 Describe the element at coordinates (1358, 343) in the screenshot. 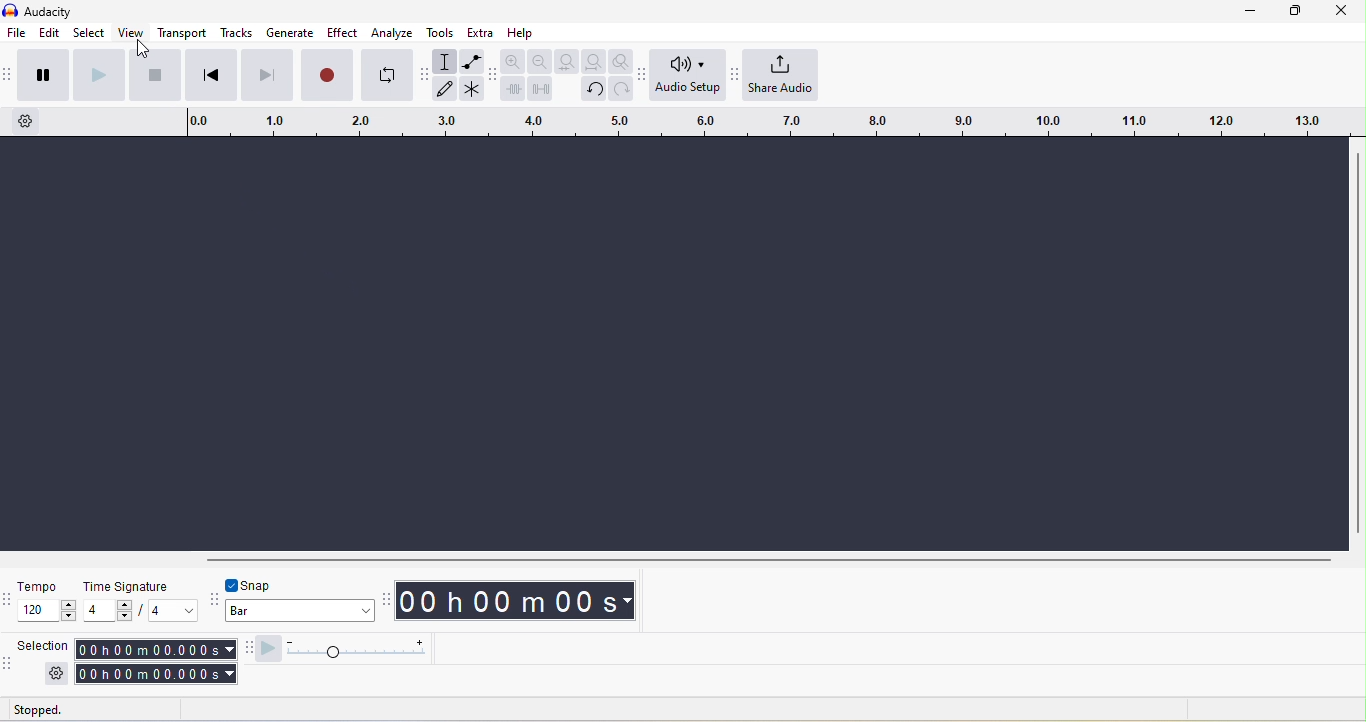

I see `vertical toolbar` at that location.